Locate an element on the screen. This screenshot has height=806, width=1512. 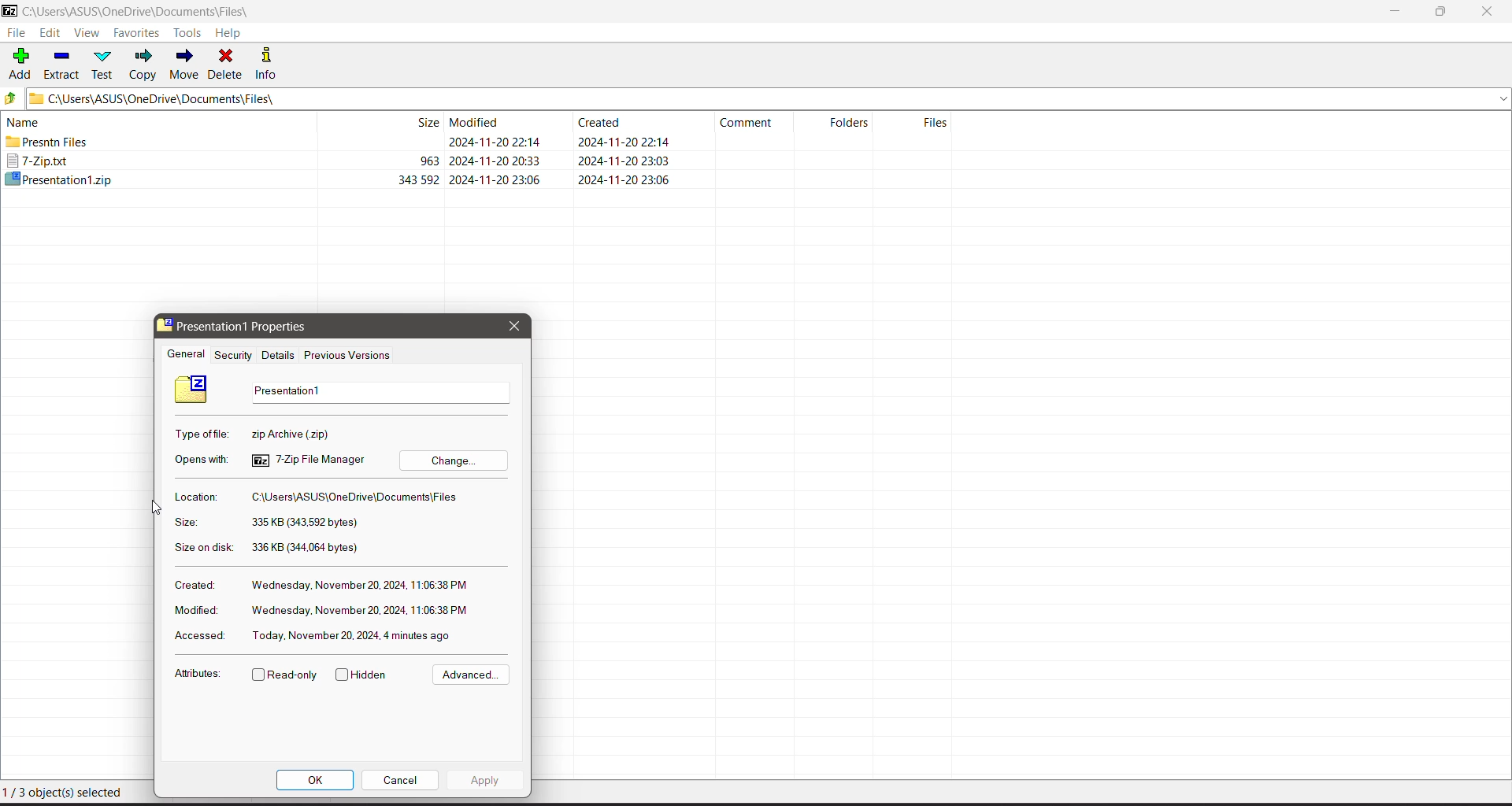
General is located at coordinates (182, 354).